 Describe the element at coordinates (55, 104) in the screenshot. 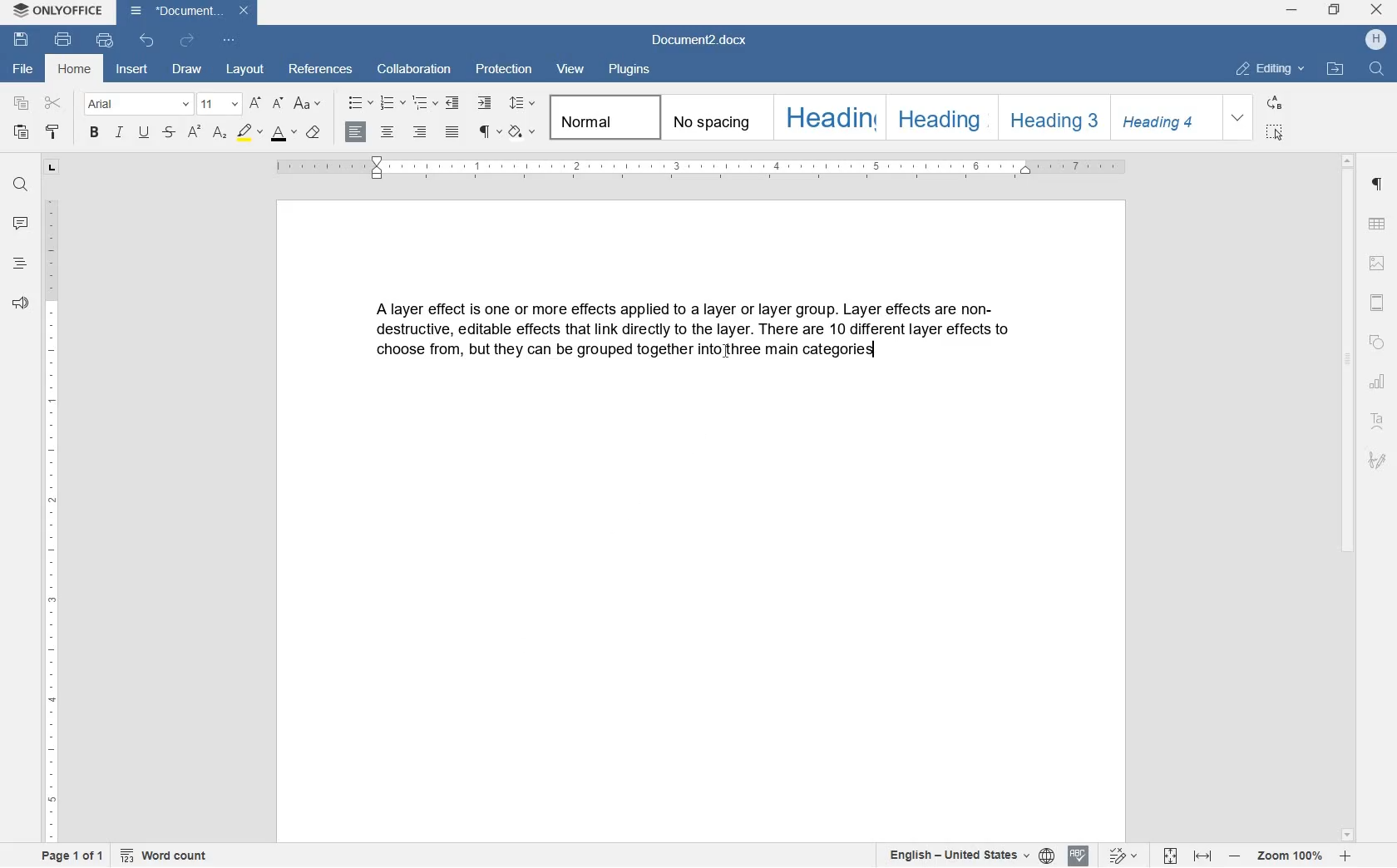

I see `cut` at that location.